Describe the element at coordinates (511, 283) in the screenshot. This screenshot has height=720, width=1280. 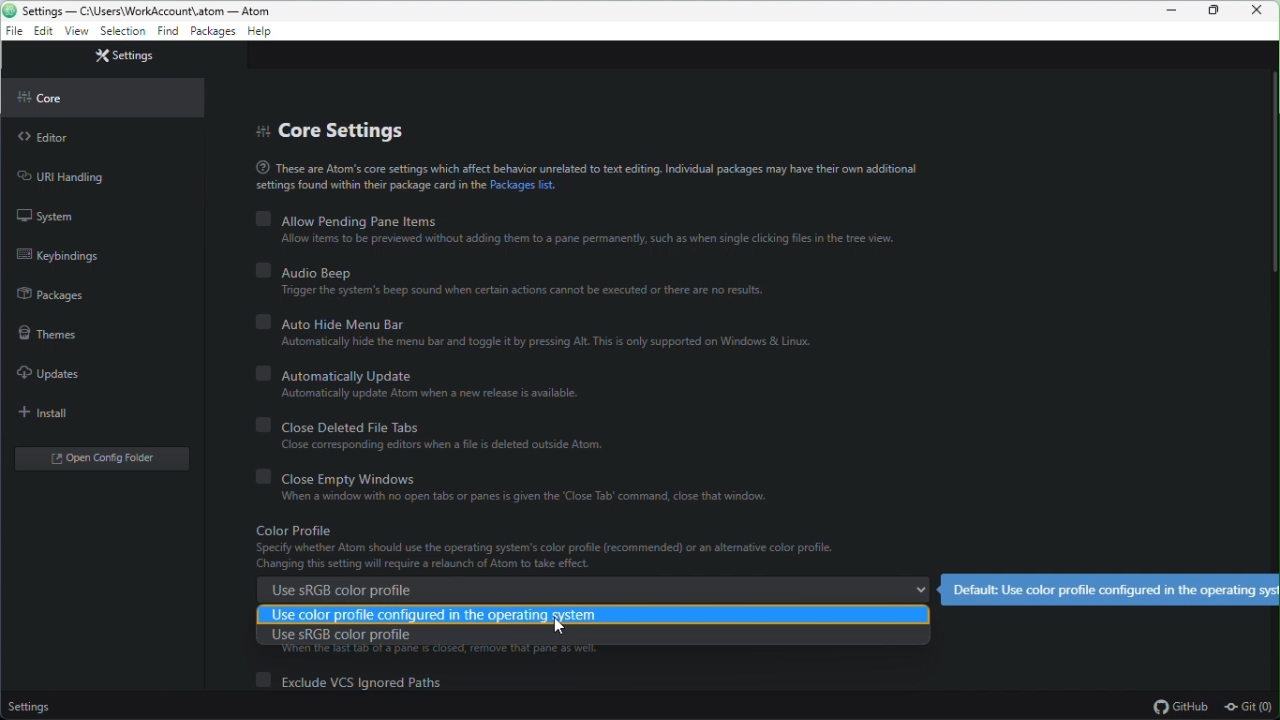
I see `Audio beep` at that location.